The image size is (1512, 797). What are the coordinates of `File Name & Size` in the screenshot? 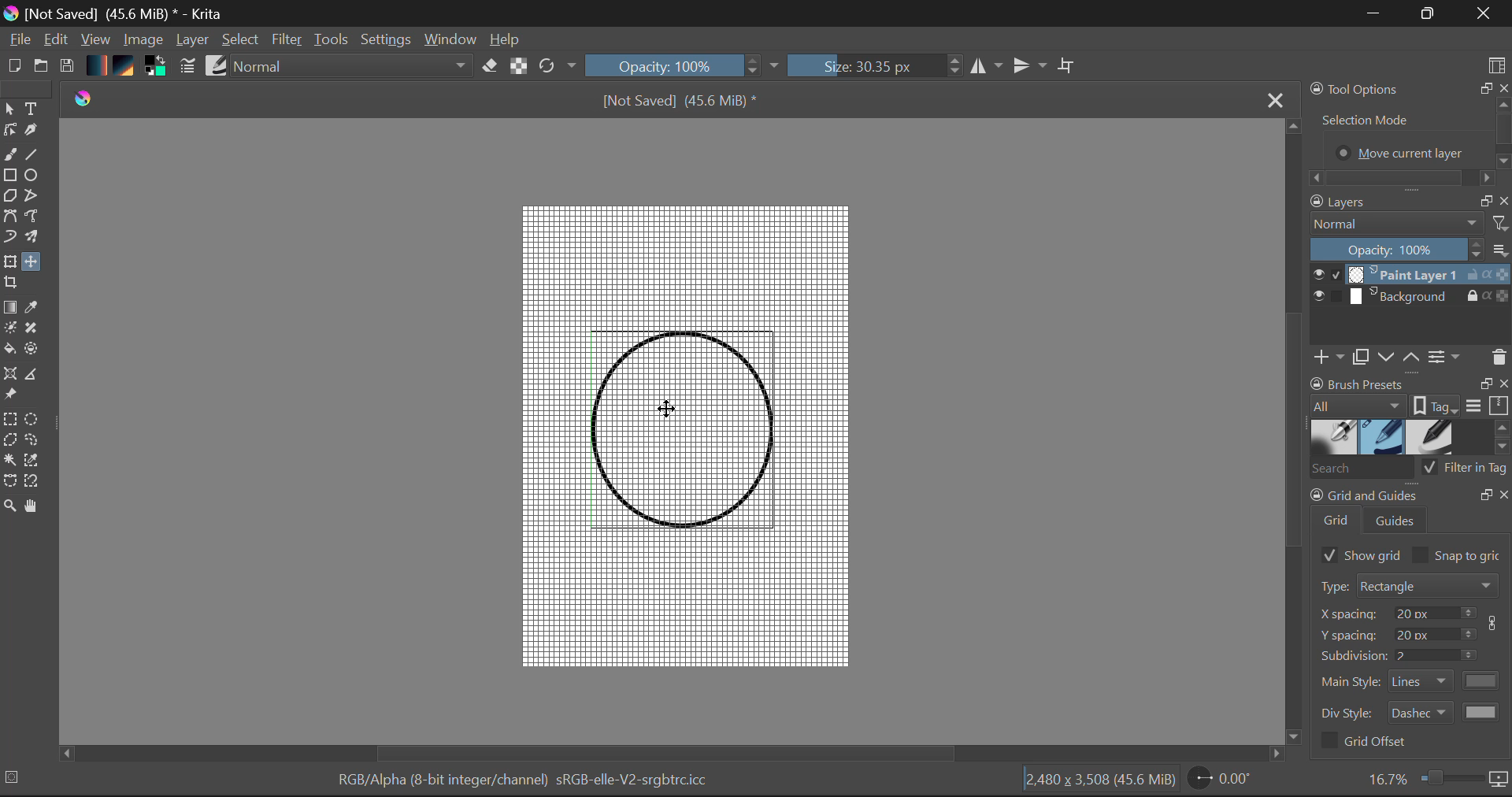 It's located at (680, 99).